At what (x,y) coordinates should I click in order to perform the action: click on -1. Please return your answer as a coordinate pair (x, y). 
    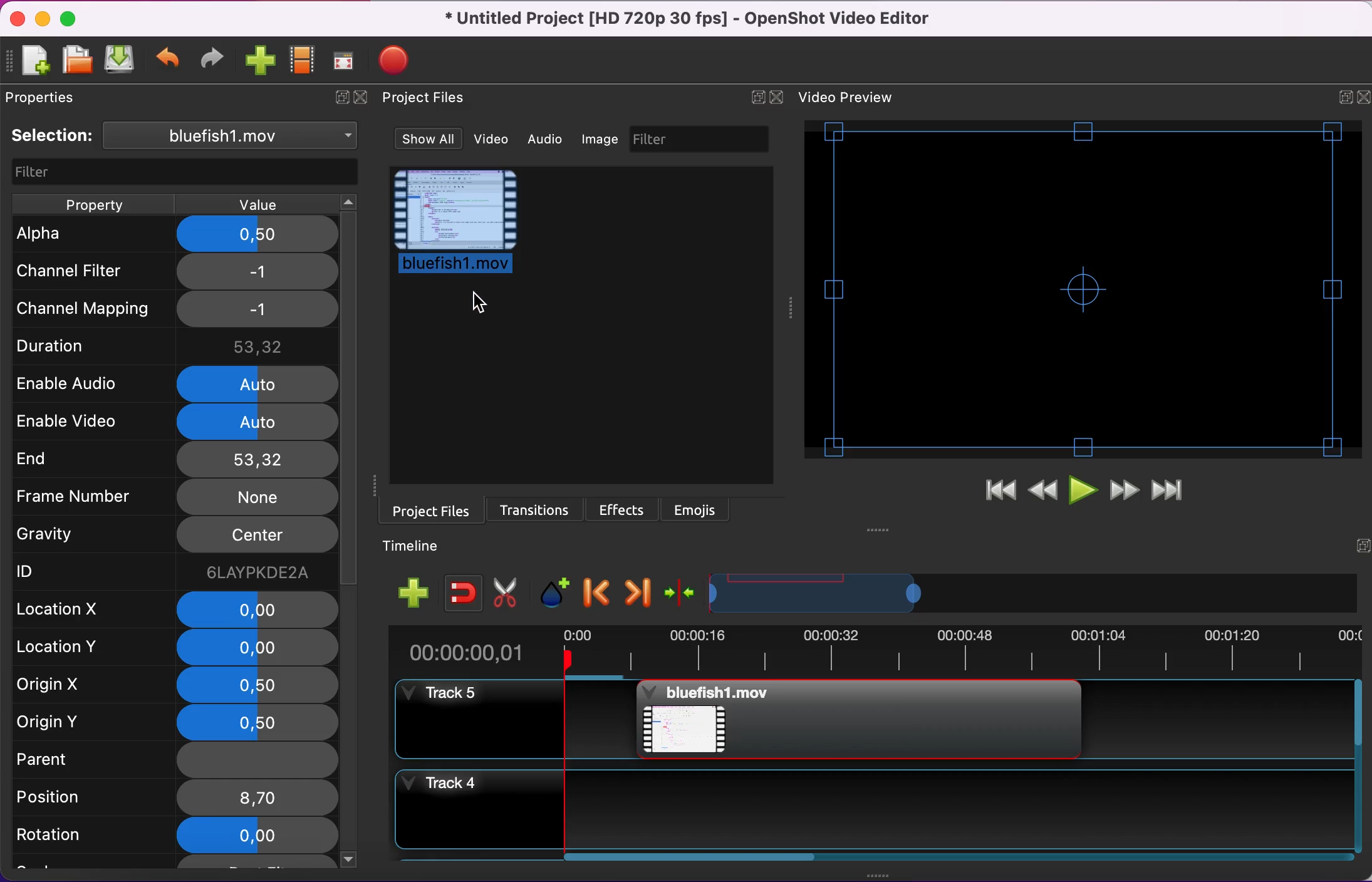
    Looking at the image, I should click on (259, 310).